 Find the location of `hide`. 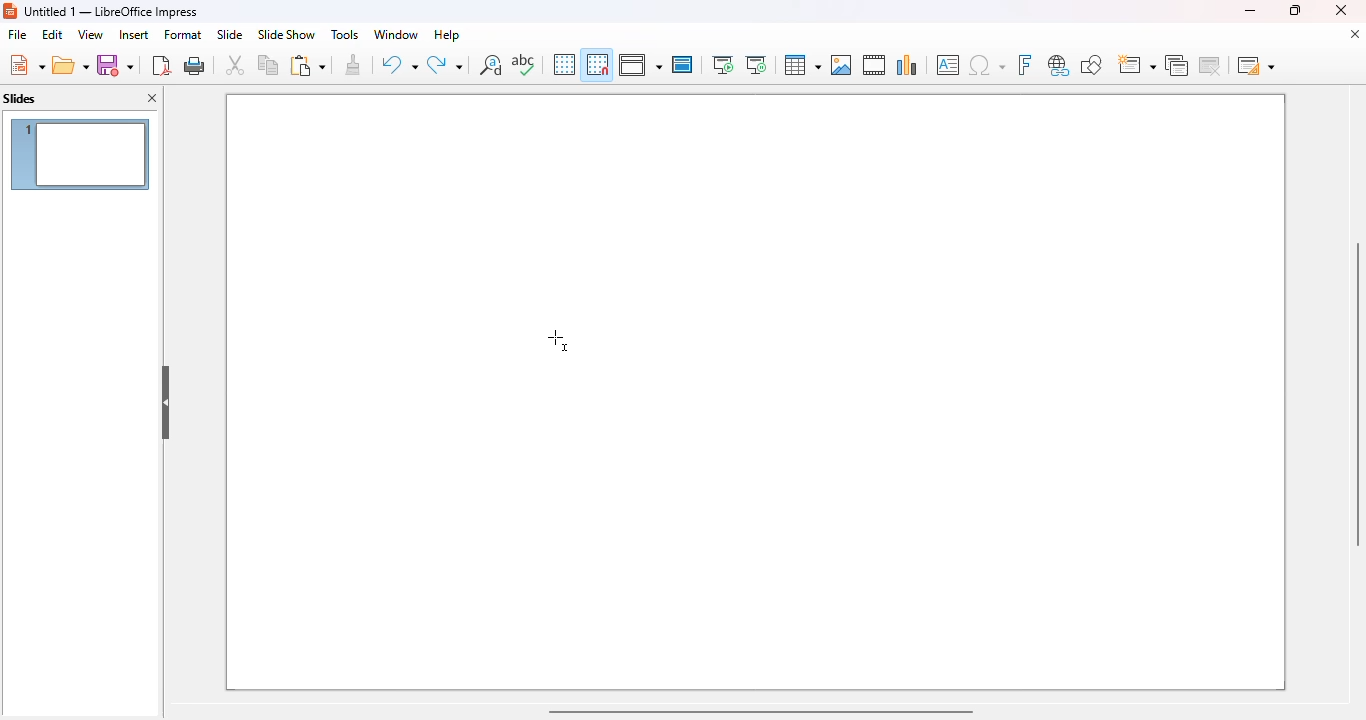

hide is located at coordinates (166, 403).